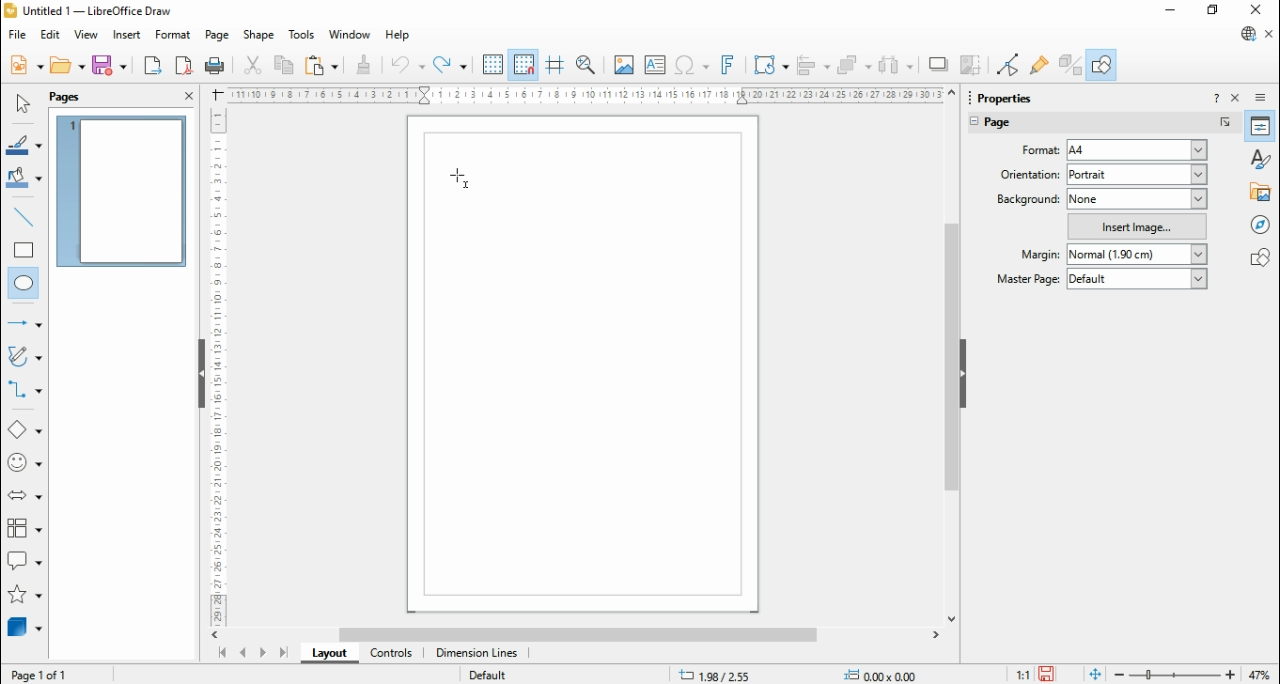  Describe the element at coordinates (26, 217) in the screenshot. I see `insert line` at that location.